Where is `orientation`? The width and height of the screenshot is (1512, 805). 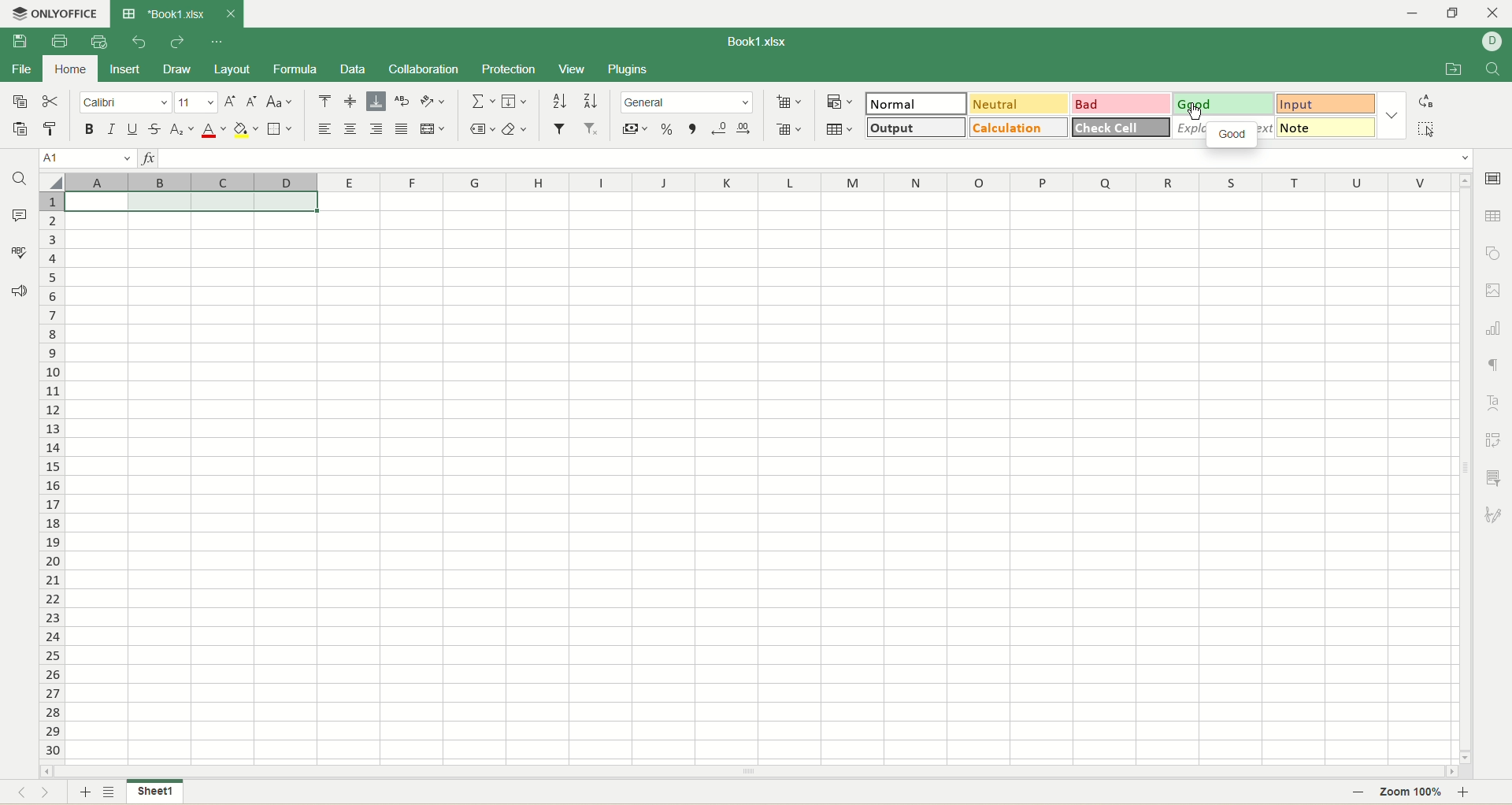
orientation is located at coordinates (431, 101).